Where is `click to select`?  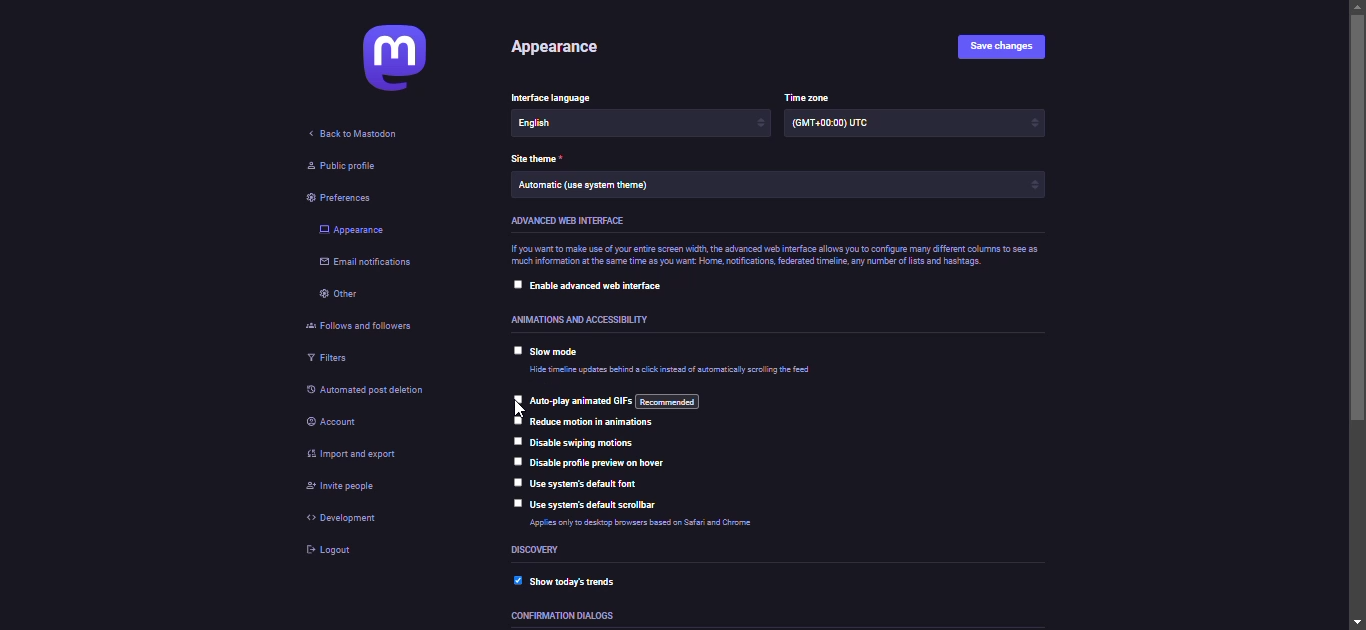
click to select is located at coordinates (512, 351).